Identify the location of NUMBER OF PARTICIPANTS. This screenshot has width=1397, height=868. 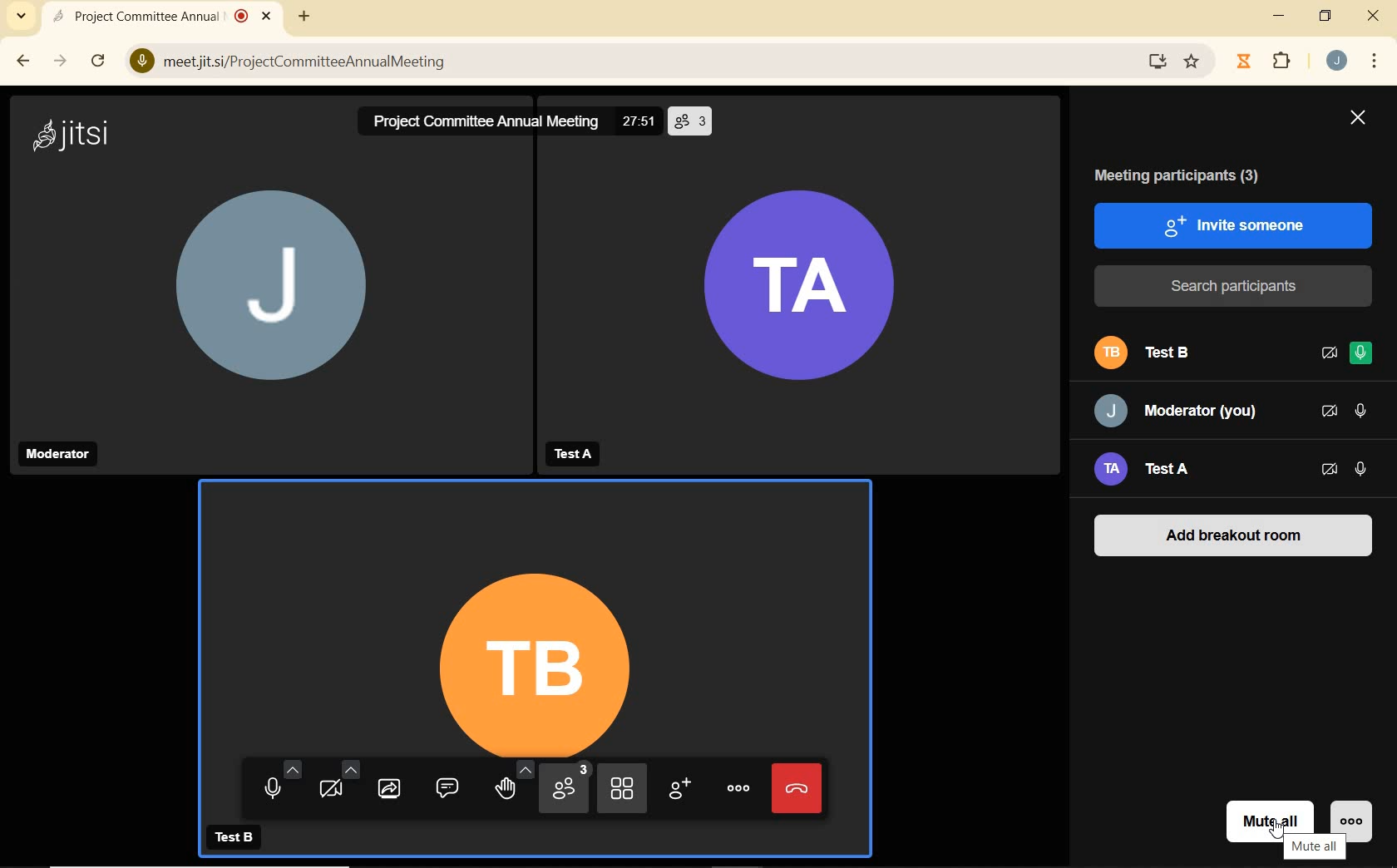
(692, 117).